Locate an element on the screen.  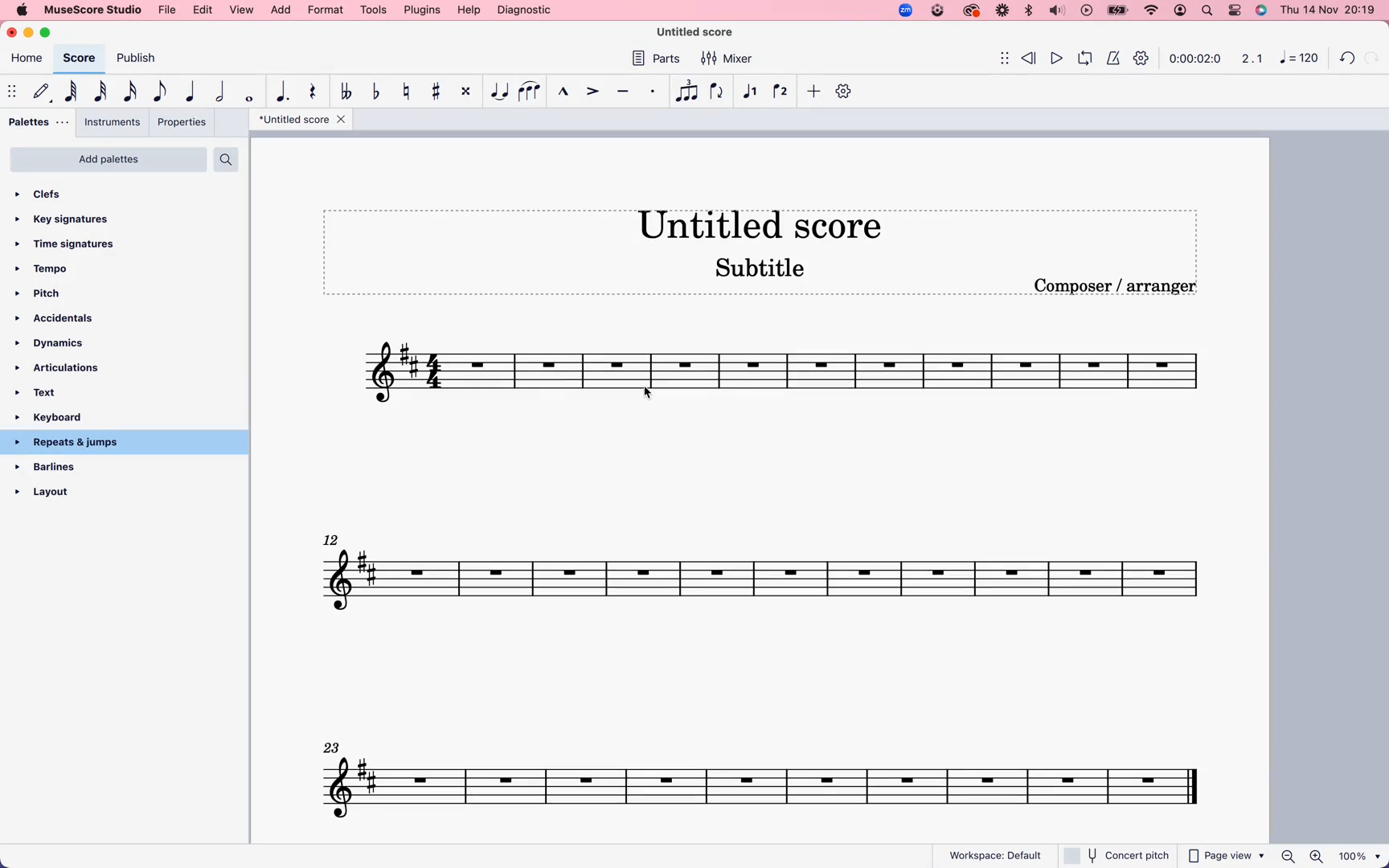
back is located at coordinates (1349, 55).